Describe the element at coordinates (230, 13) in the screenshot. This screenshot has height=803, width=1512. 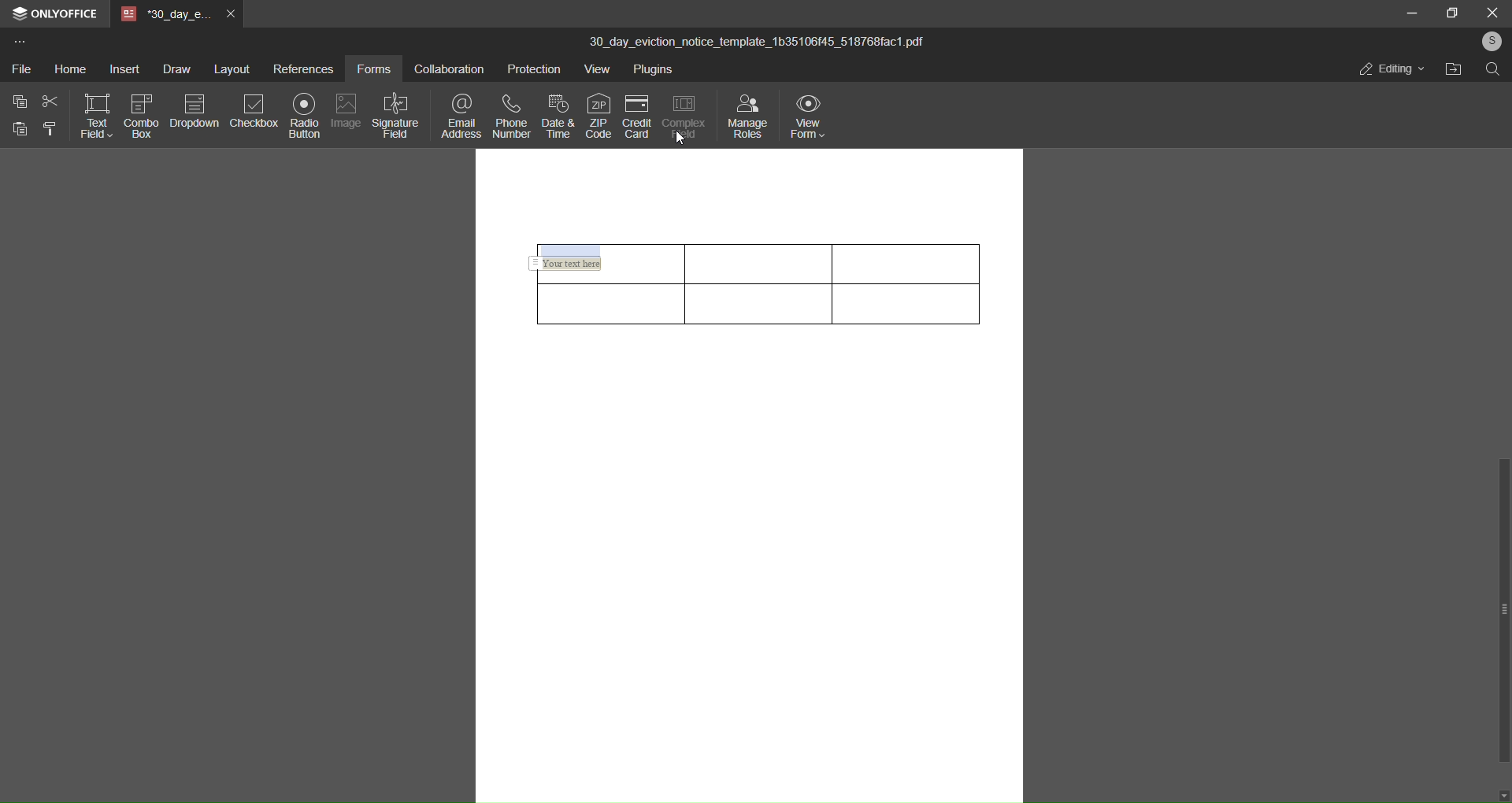
I see `close tab` at that location.